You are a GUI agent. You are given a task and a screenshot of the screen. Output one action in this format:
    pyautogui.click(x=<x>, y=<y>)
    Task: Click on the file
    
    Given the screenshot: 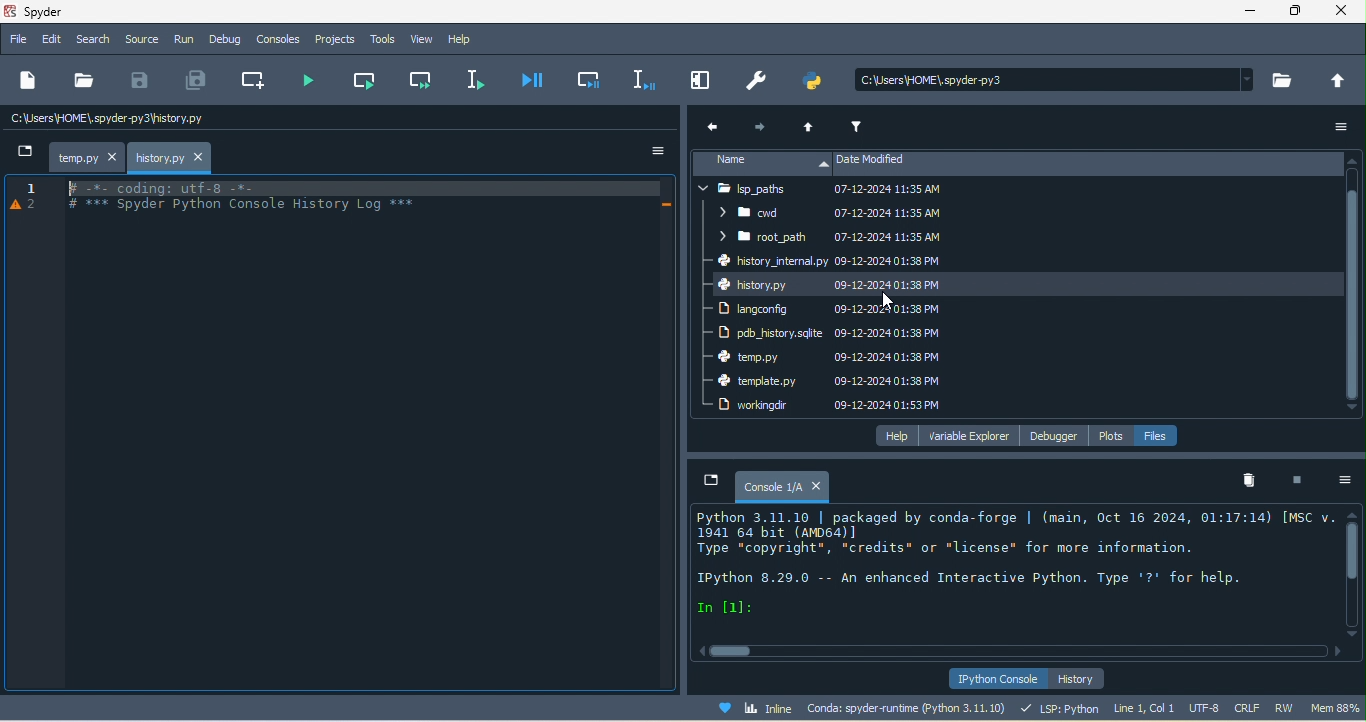 What is the action you would take?
    pyautogui.click(x=15, y=42)
    